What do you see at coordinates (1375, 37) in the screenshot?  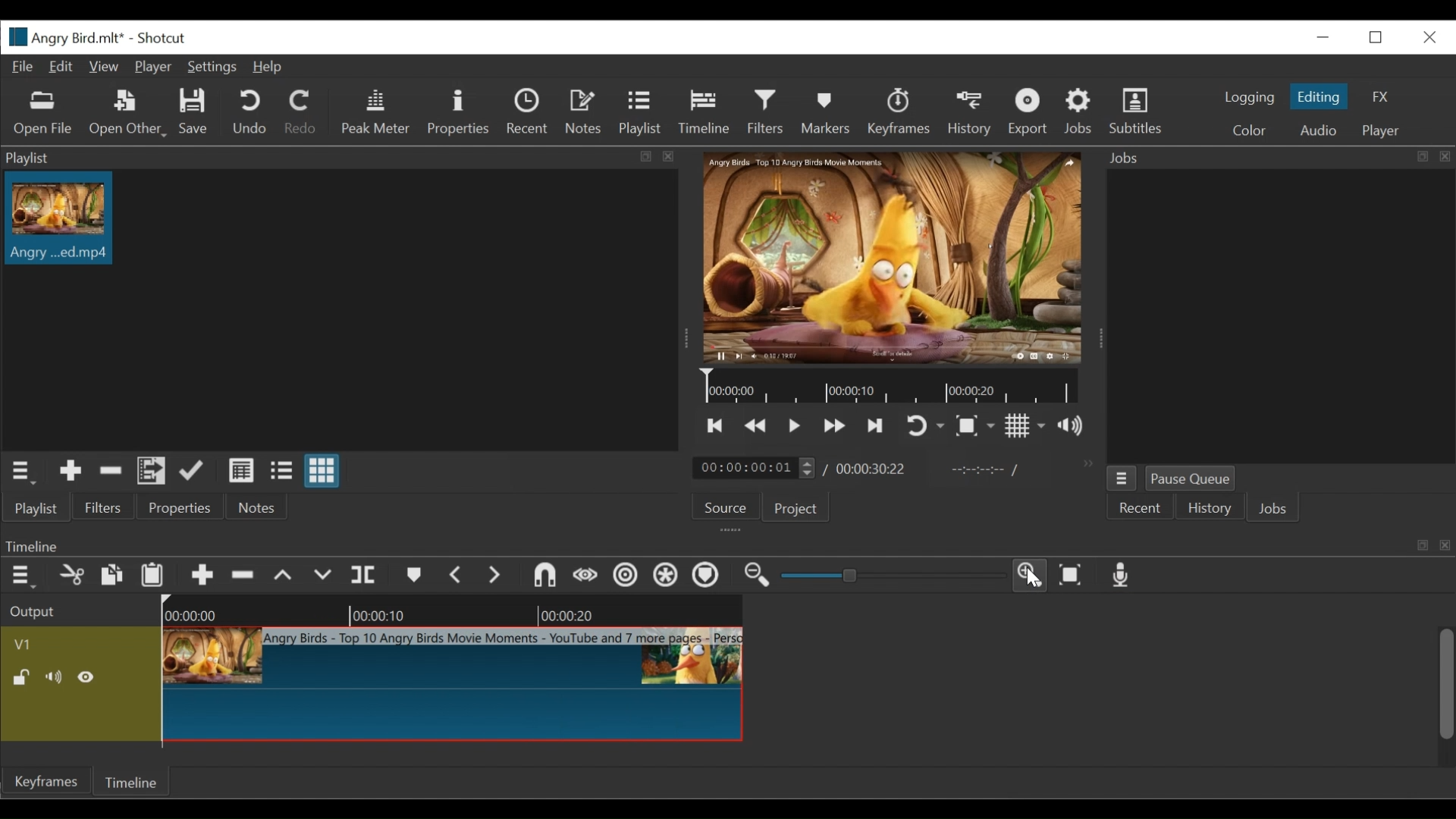 I see `Restore` at bounding box center [1375, 37].